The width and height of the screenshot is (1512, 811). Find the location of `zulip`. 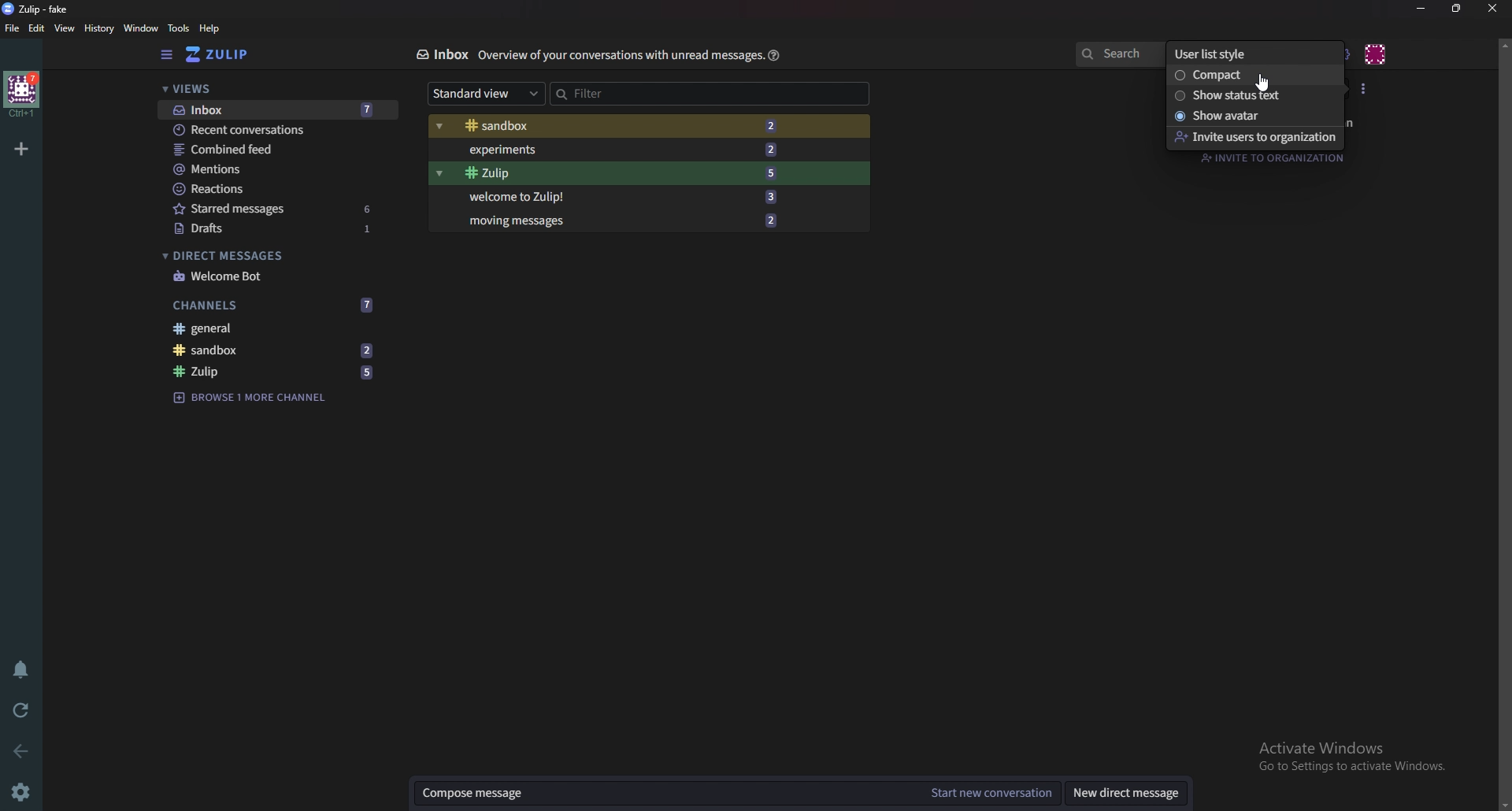

zulip is located at coordinates (39, 9).